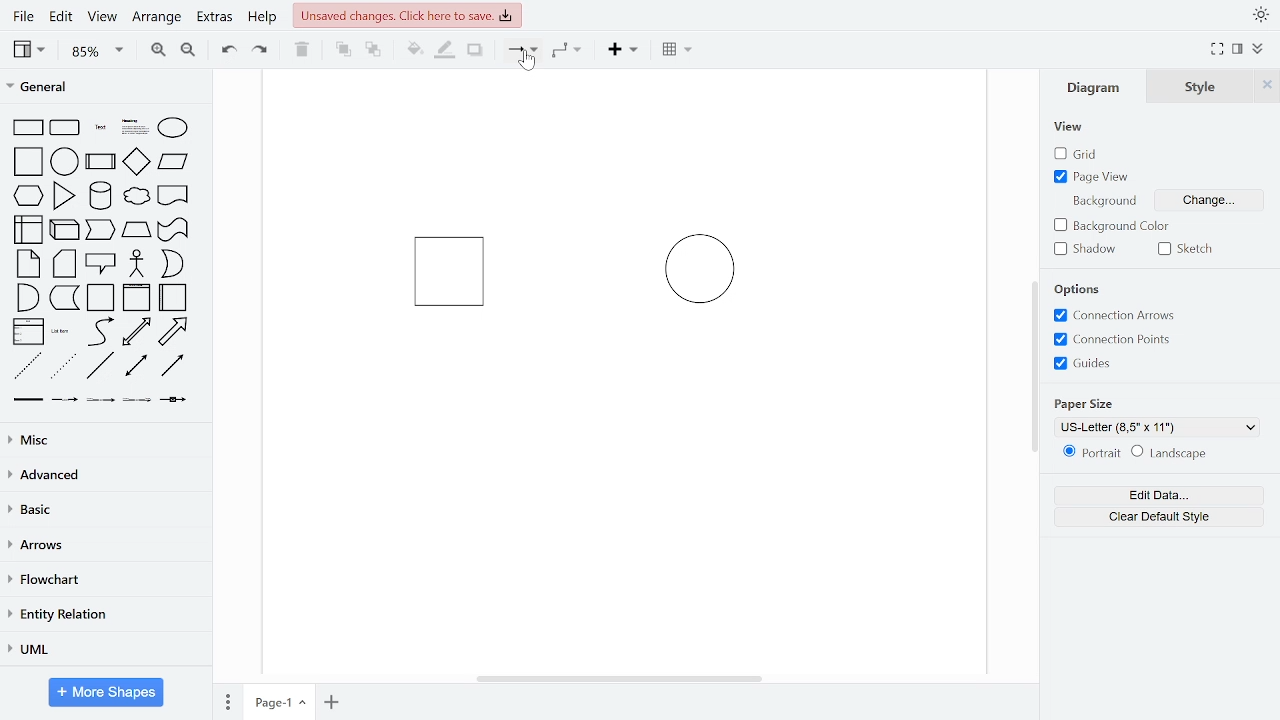 The image size is (1280, 720). Describe the element at coordinates (138, 265) in the screenshot. I see `actor` at that location.